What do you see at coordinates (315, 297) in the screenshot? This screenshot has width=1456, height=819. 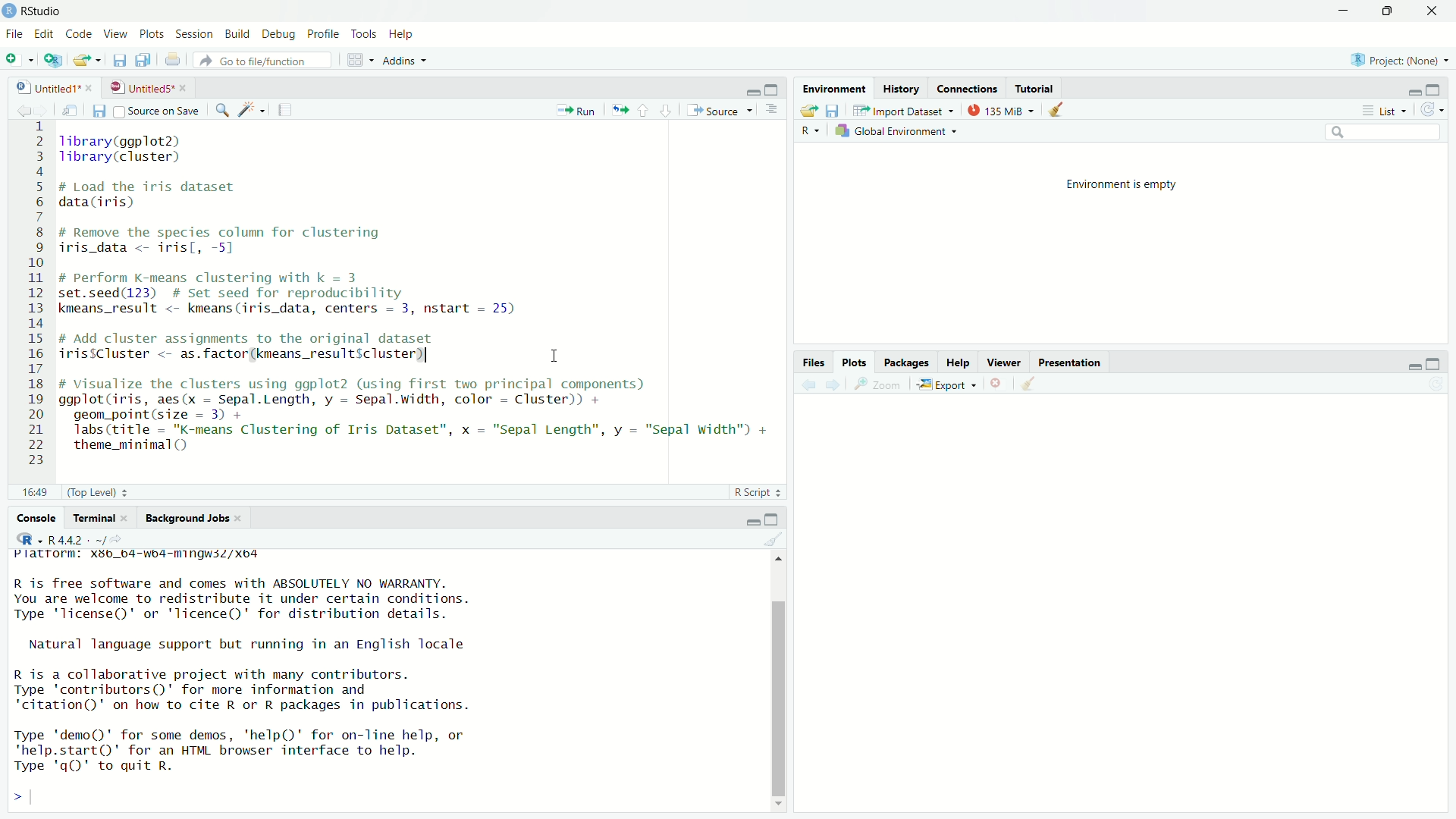 I see `# Perform K-means clustering with k = 3   set.seed(123) # Set seed for reproducibility   kmeans_result <- kmeans(iris_data, centers = 3, nstart = 25)` at bounding box center [315, 297].